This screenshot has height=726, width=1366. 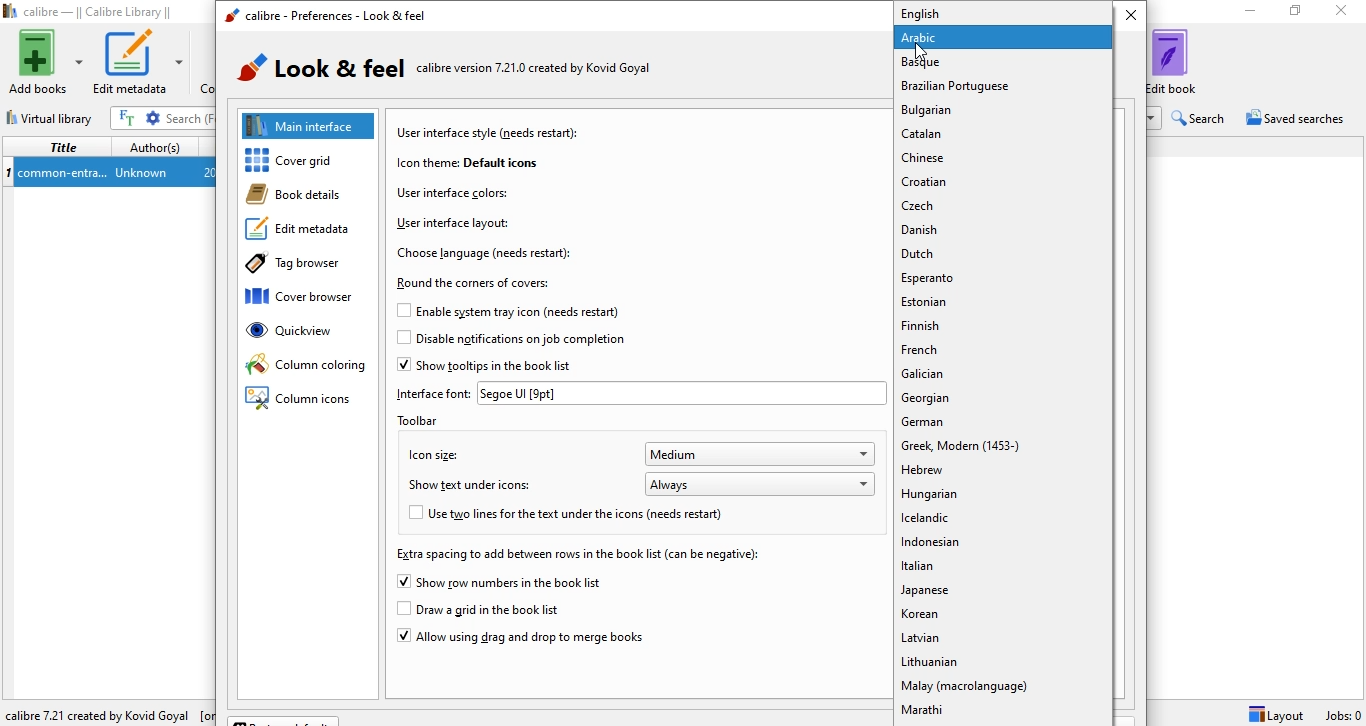 What do you see at coordinates (1298, 120) in the screenshot?
I see `Saves searches` at bounding box center [1298, 120].